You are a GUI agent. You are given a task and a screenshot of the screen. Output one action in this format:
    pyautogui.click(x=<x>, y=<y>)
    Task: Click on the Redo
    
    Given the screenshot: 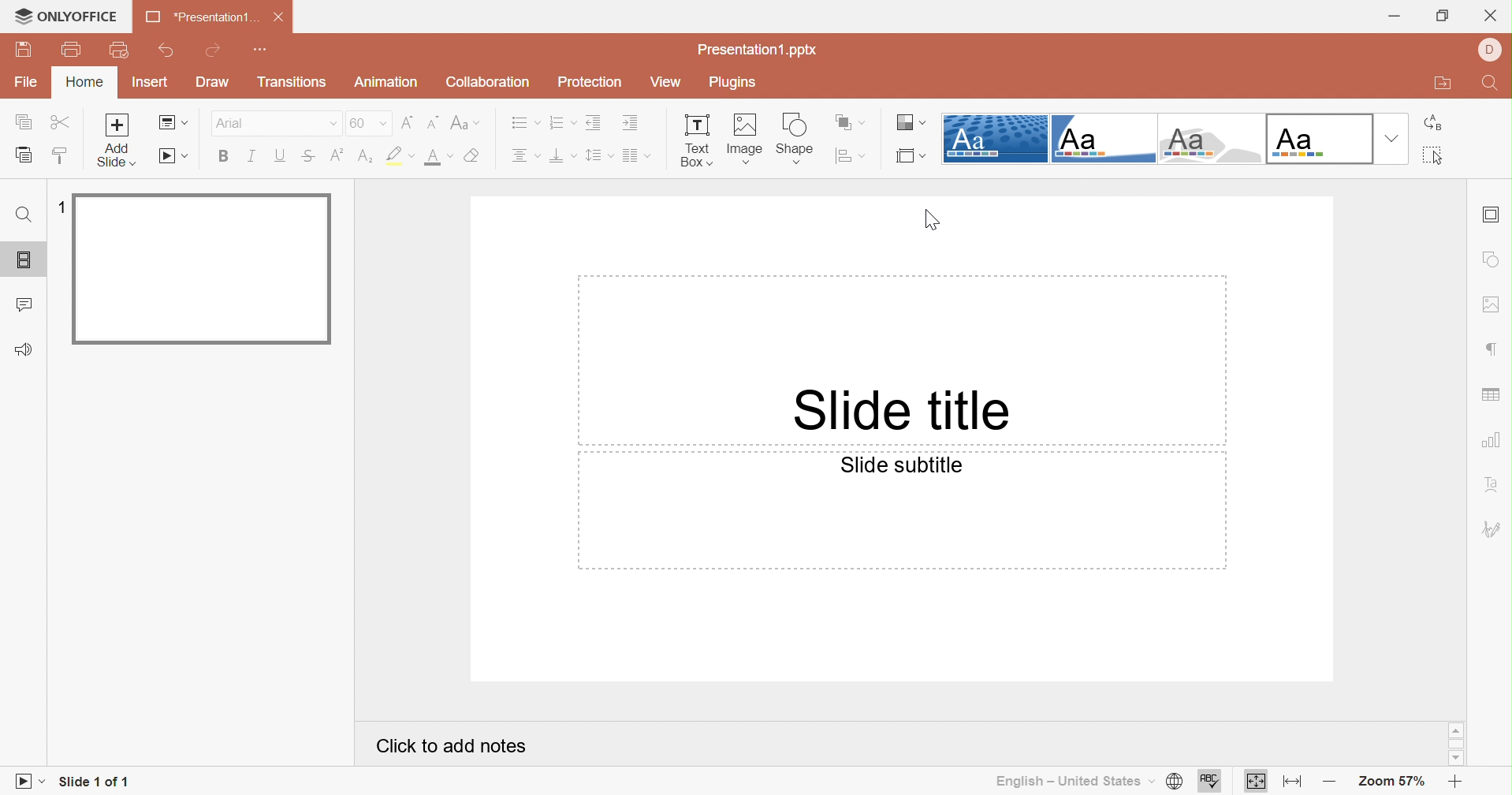 What is the action you would take?
    pyautogui.click(x=214, y=52)
    